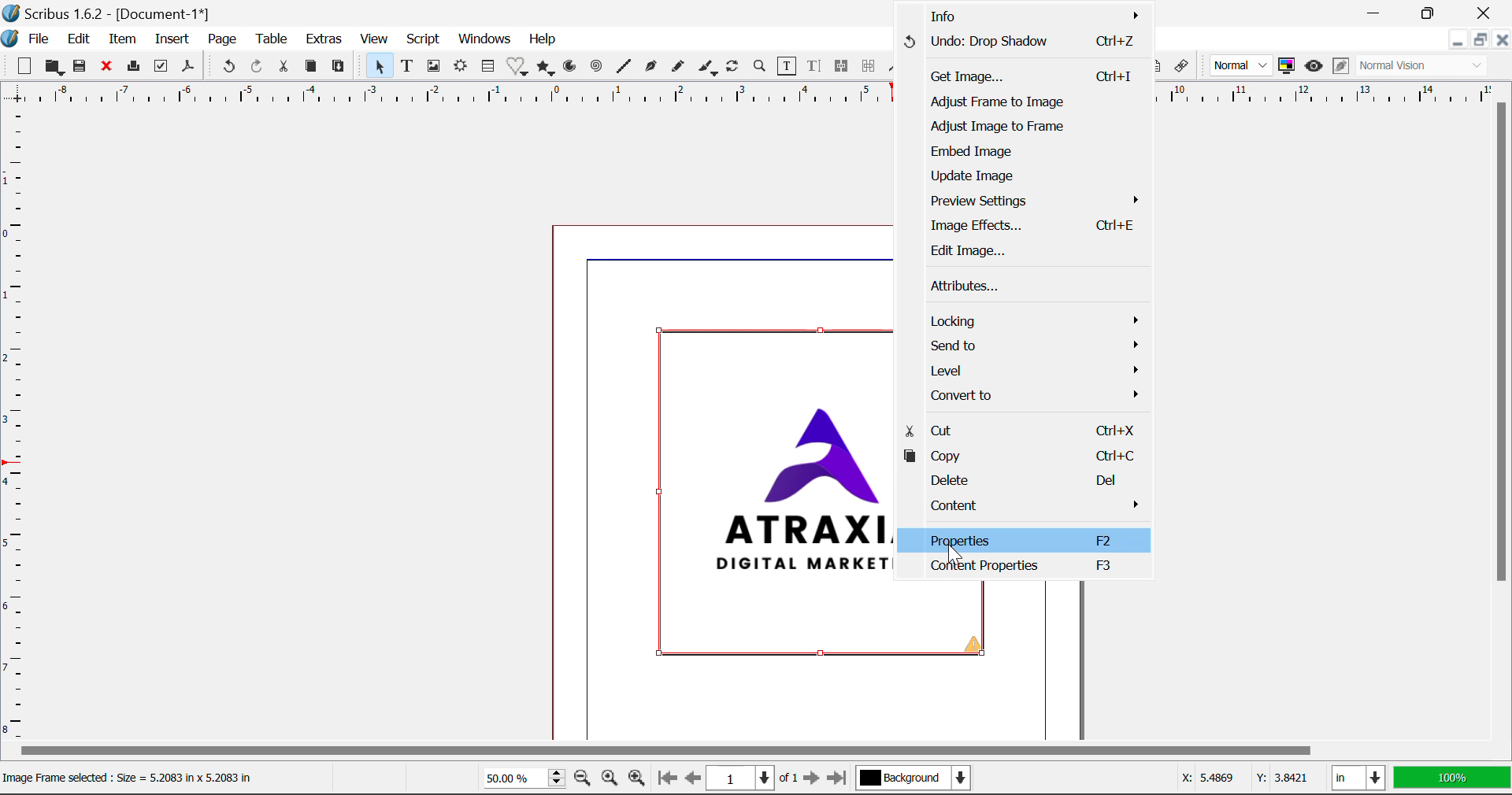 This screenshot has width=1512, height=795. Describe the element at coordinates (1242, 65) in the screenshot. I see `Normal` at that location.